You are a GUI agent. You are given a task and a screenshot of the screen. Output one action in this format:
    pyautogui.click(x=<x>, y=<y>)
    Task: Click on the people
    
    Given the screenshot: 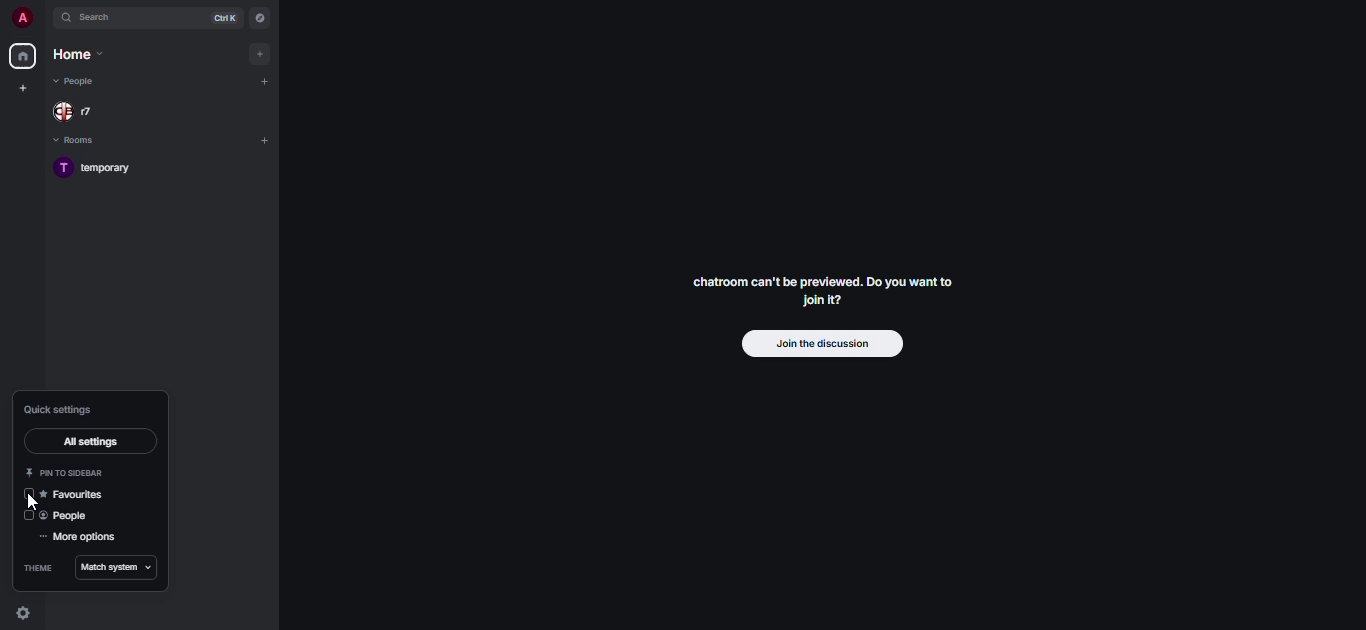 What is the action you would take?
    pyautogui.click(x=80, y=112)
    